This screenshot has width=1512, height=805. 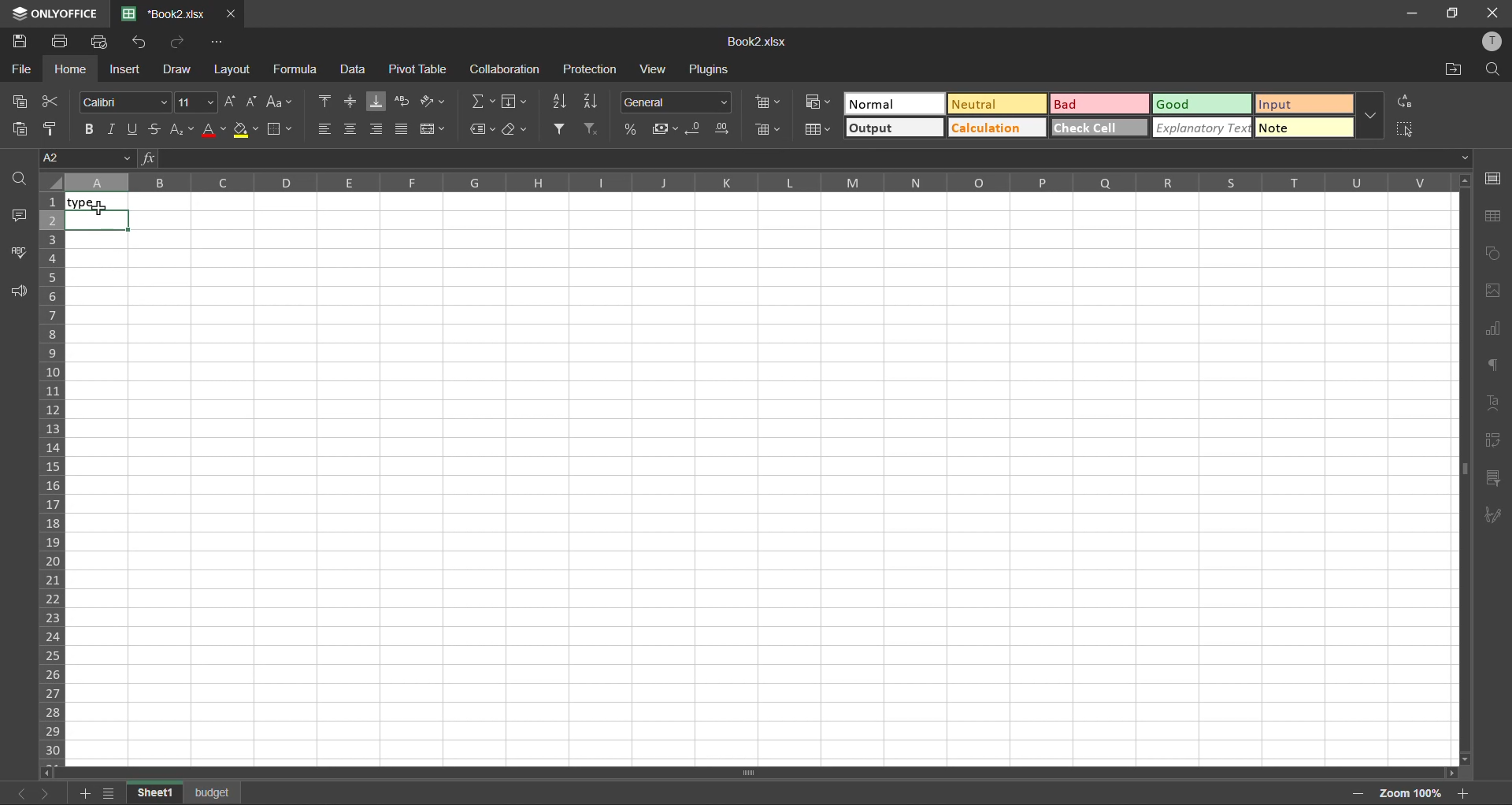 I want to click on slicer, so click(x=1493, y=481).